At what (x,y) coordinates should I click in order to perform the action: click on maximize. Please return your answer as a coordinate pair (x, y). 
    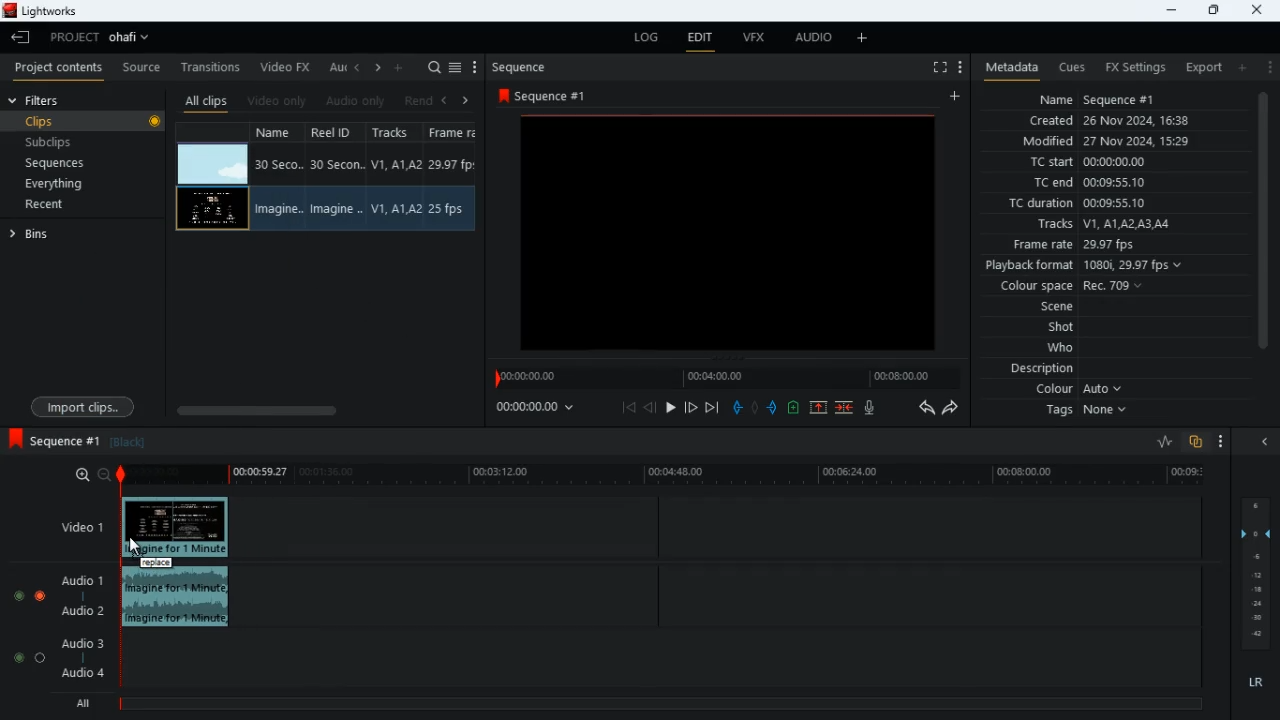
    Looking at the image, I should click on (1213, 10).